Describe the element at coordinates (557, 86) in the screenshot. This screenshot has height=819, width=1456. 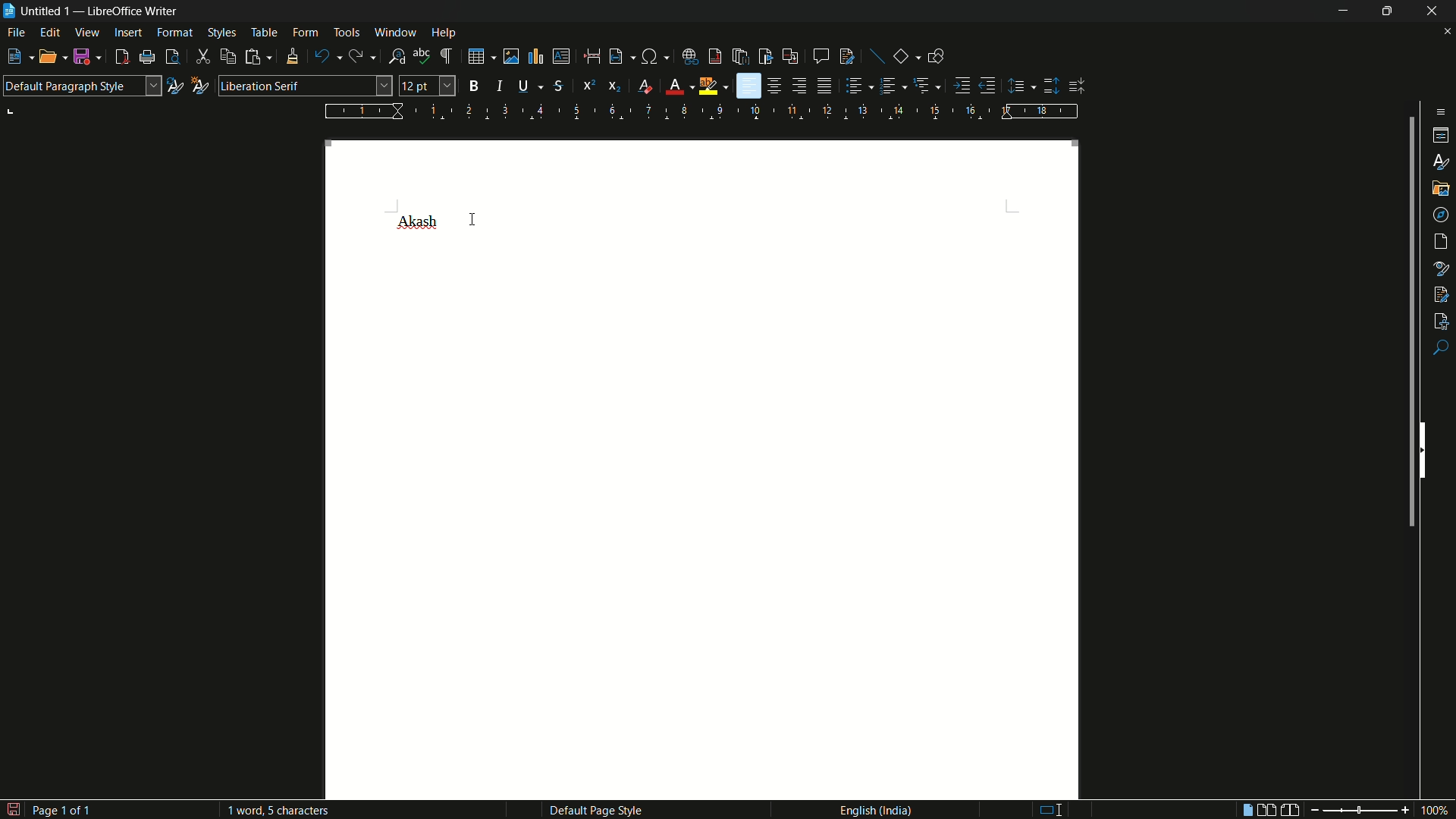
I see `strikethrough` at that location.